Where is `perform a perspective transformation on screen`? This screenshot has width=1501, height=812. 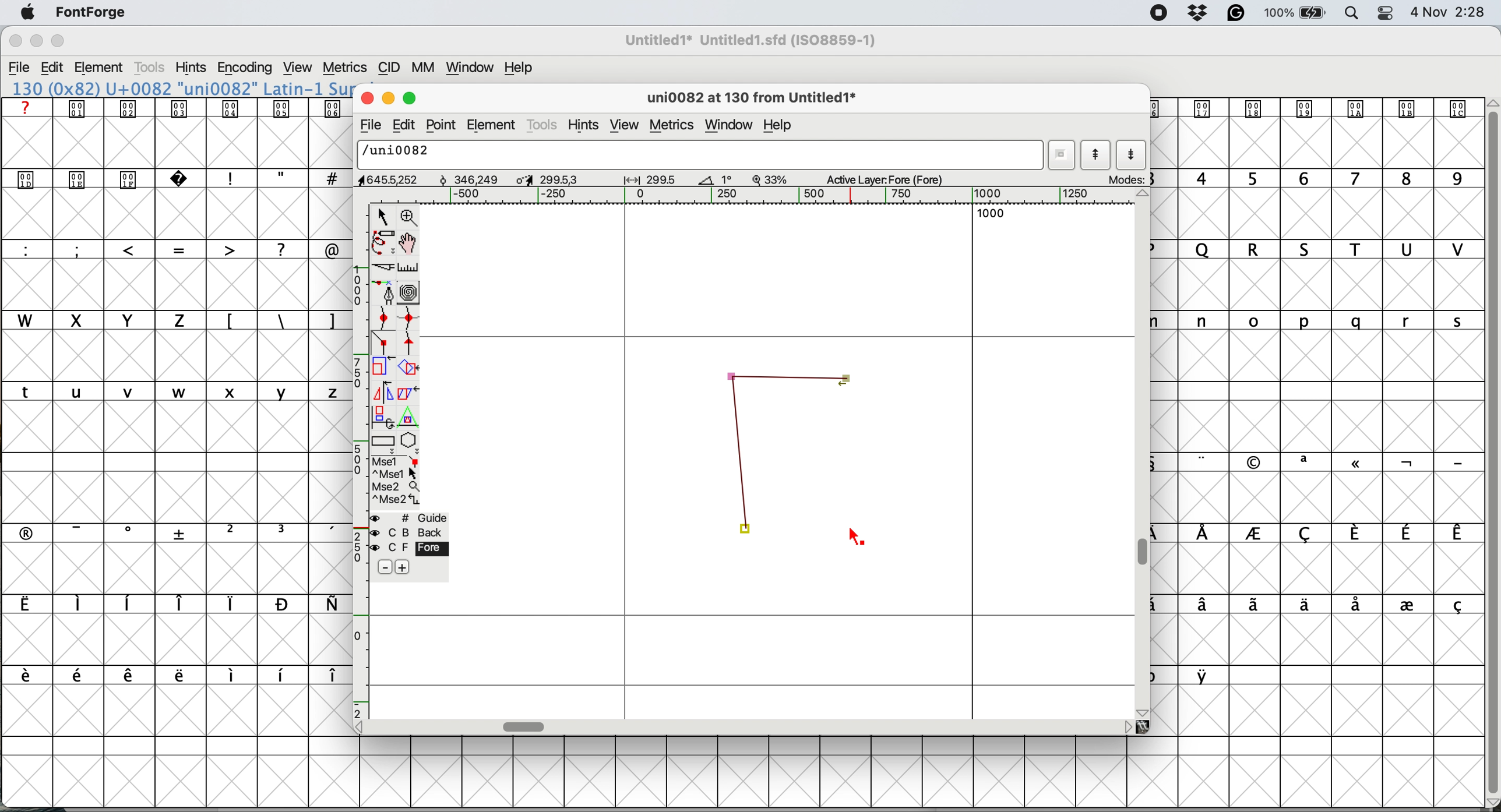
perform a perspective transformation on screen is located at coordinates (410, 417).